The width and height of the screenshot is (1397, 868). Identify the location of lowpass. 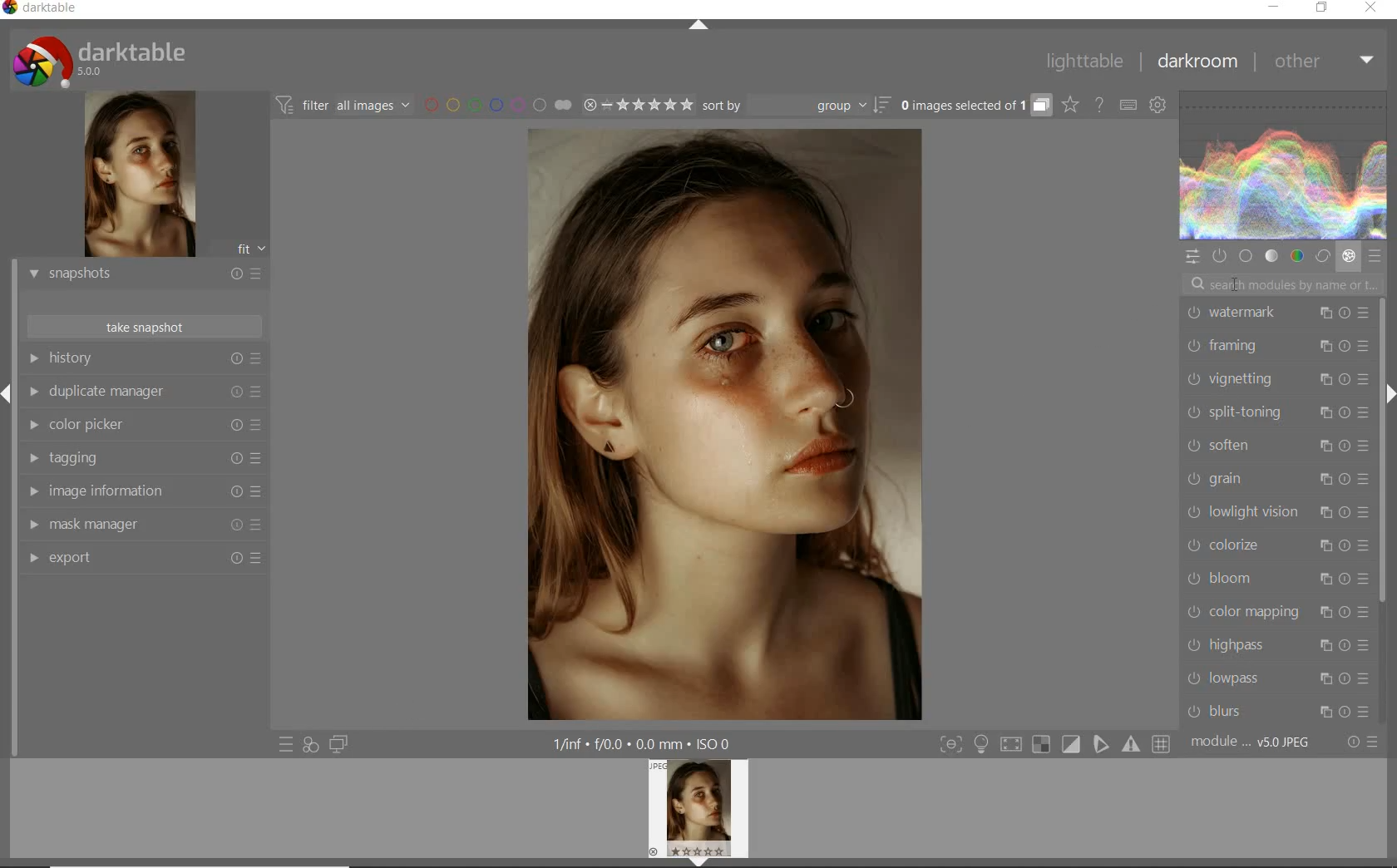
(1277, 678).